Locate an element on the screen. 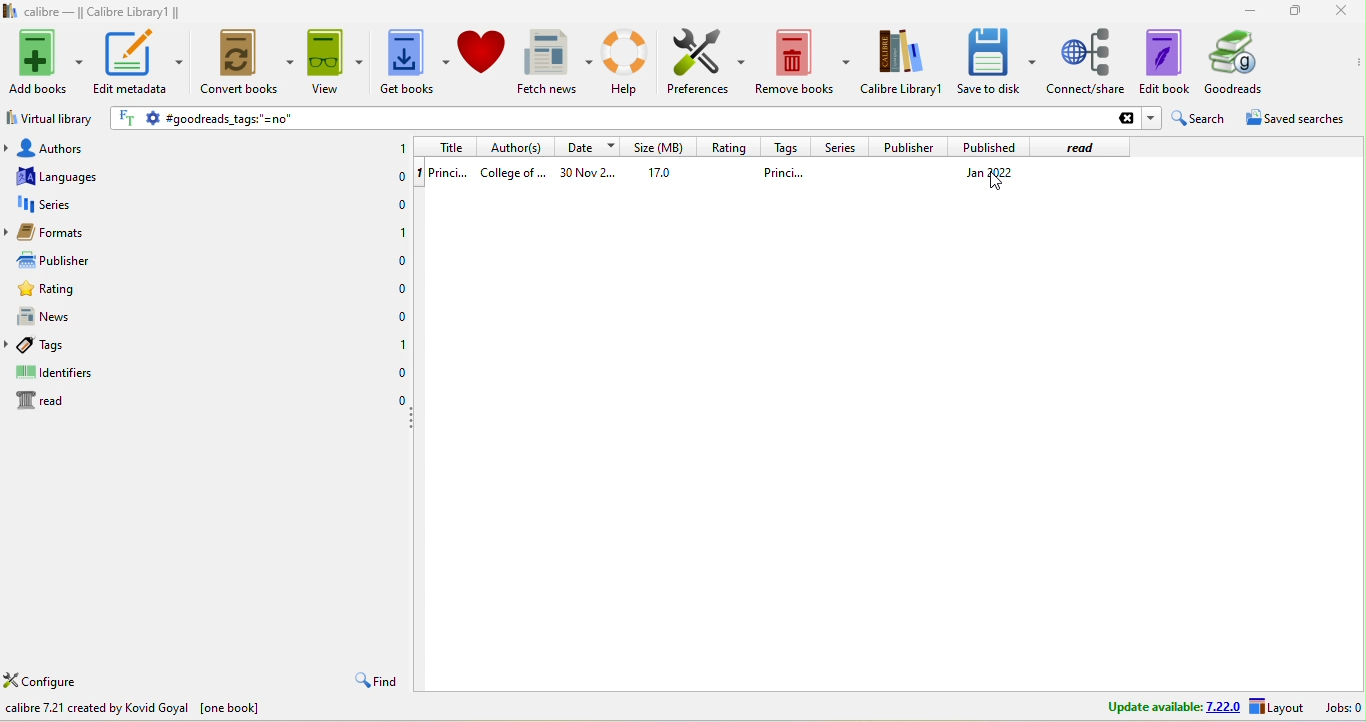 Image resolution: width=1366 pixels, height=722 pixels. 30 nov 2 is located at coordinates (587, 172).